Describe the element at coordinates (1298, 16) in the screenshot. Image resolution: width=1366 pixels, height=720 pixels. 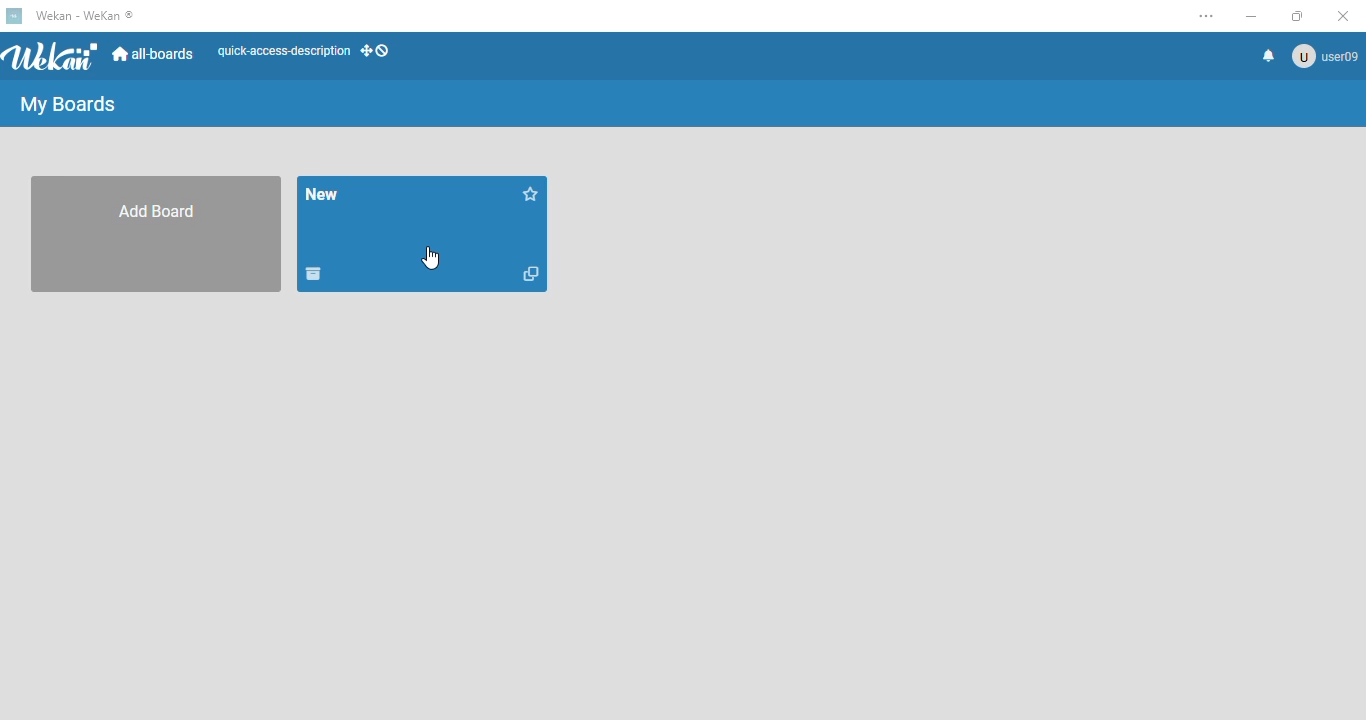
I see `maximize` at that location.